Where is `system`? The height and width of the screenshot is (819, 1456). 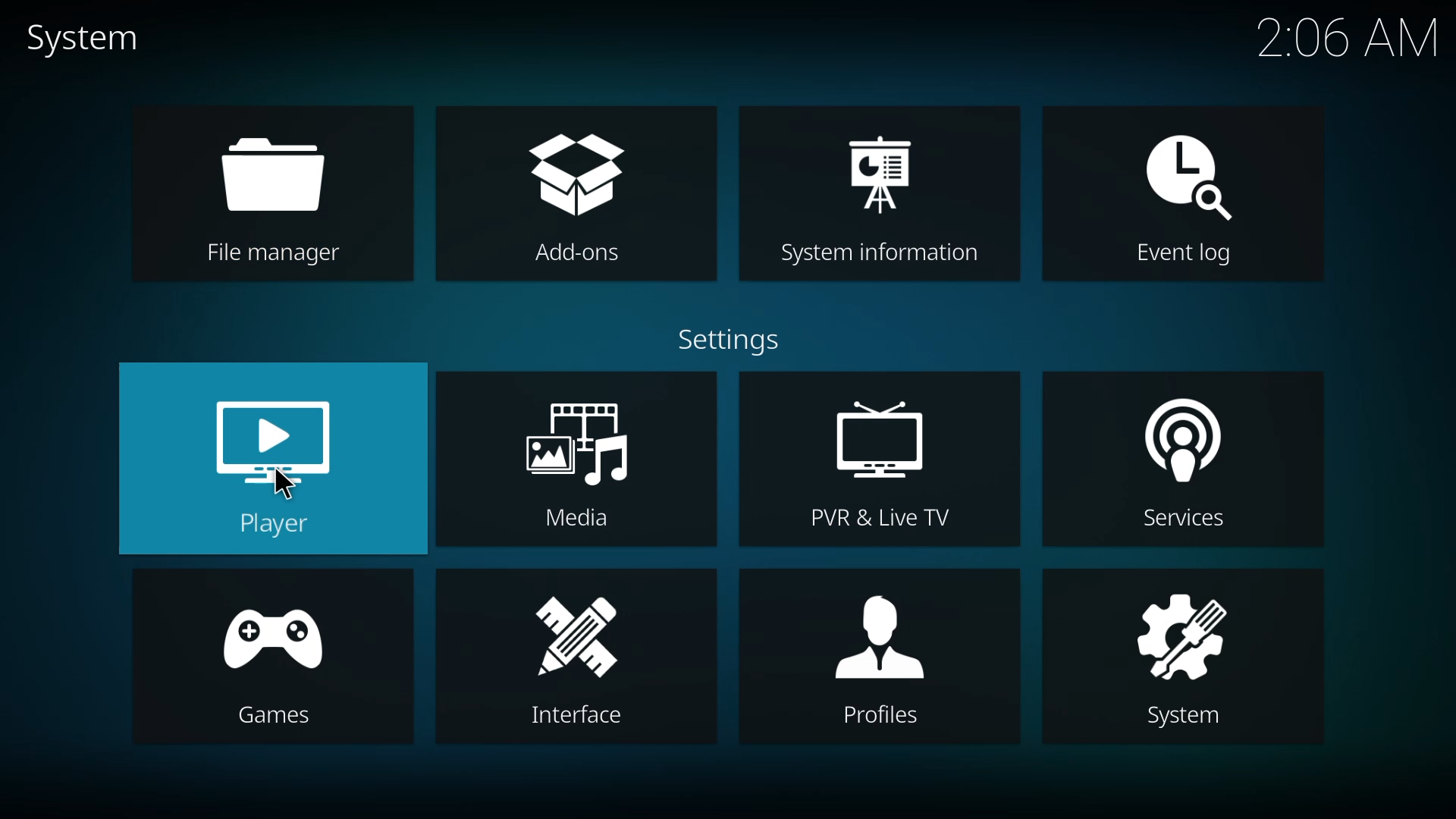
system is located at coordinates (87, 39).